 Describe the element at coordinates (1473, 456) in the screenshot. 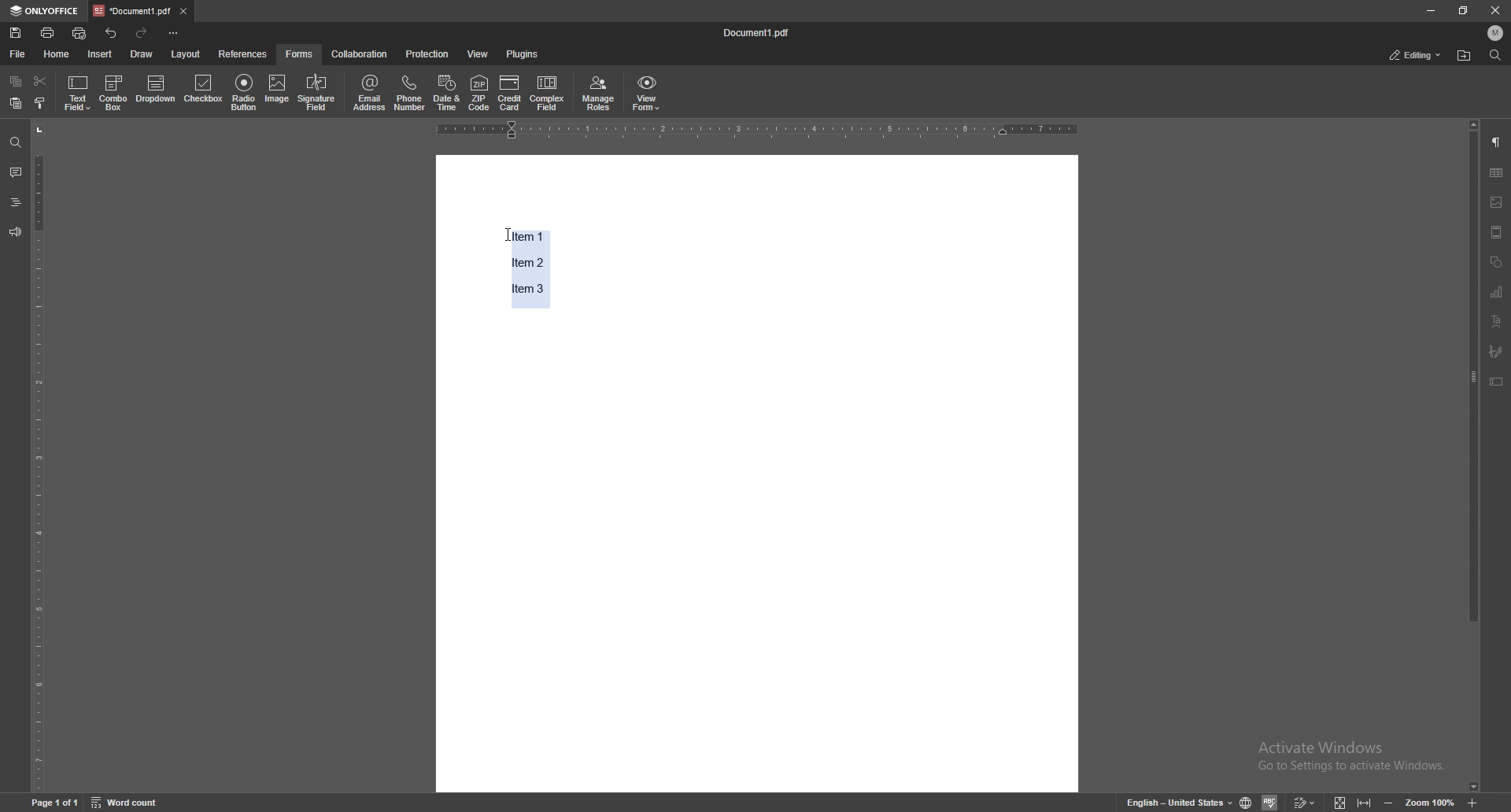

I see `scroll bar` at that location.